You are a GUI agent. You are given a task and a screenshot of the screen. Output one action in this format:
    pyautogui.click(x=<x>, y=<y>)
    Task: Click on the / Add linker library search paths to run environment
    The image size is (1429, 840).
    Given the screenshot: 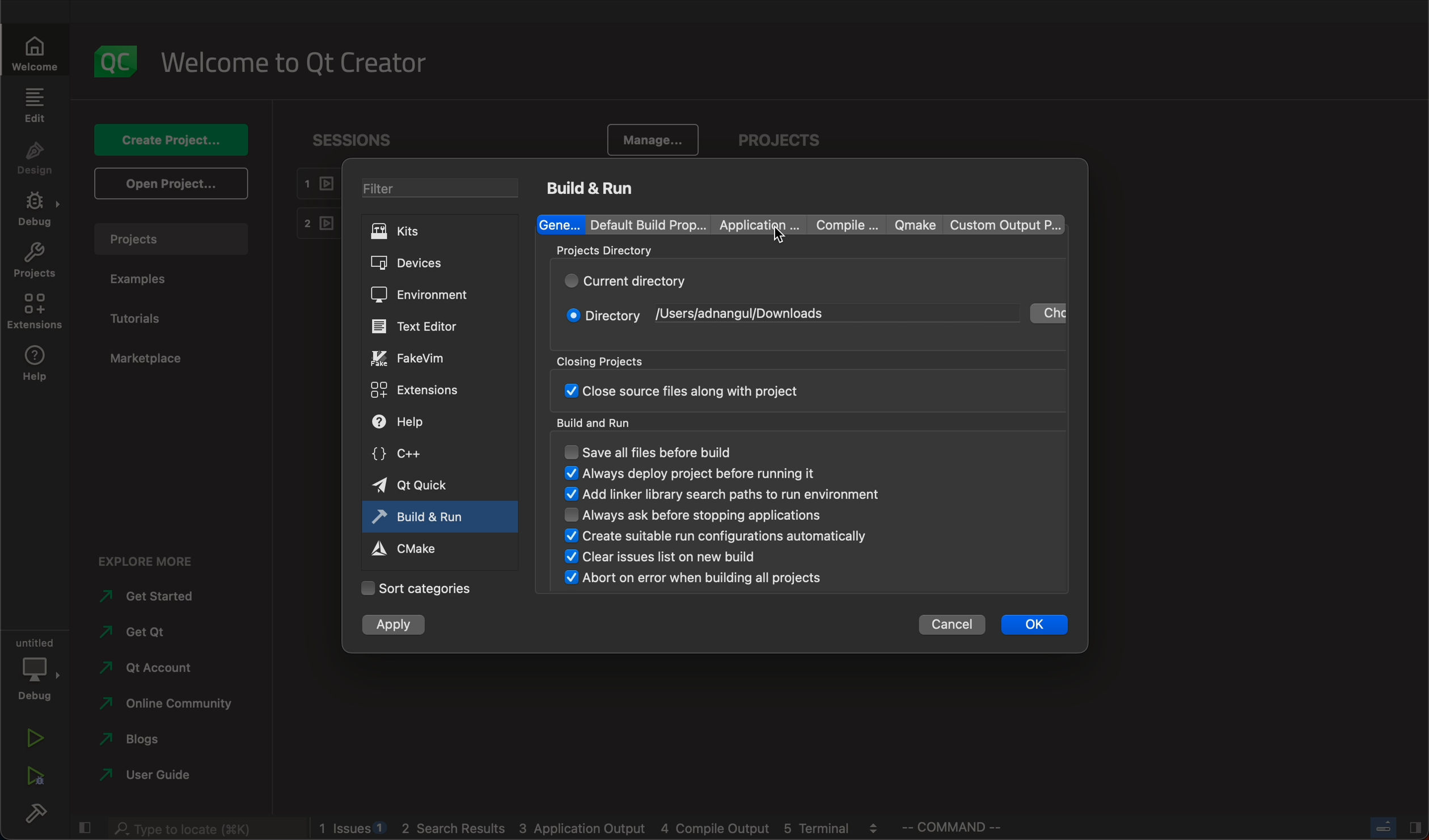 What is the action you would take?
    pyautogui.click(x=724, y=494)
    